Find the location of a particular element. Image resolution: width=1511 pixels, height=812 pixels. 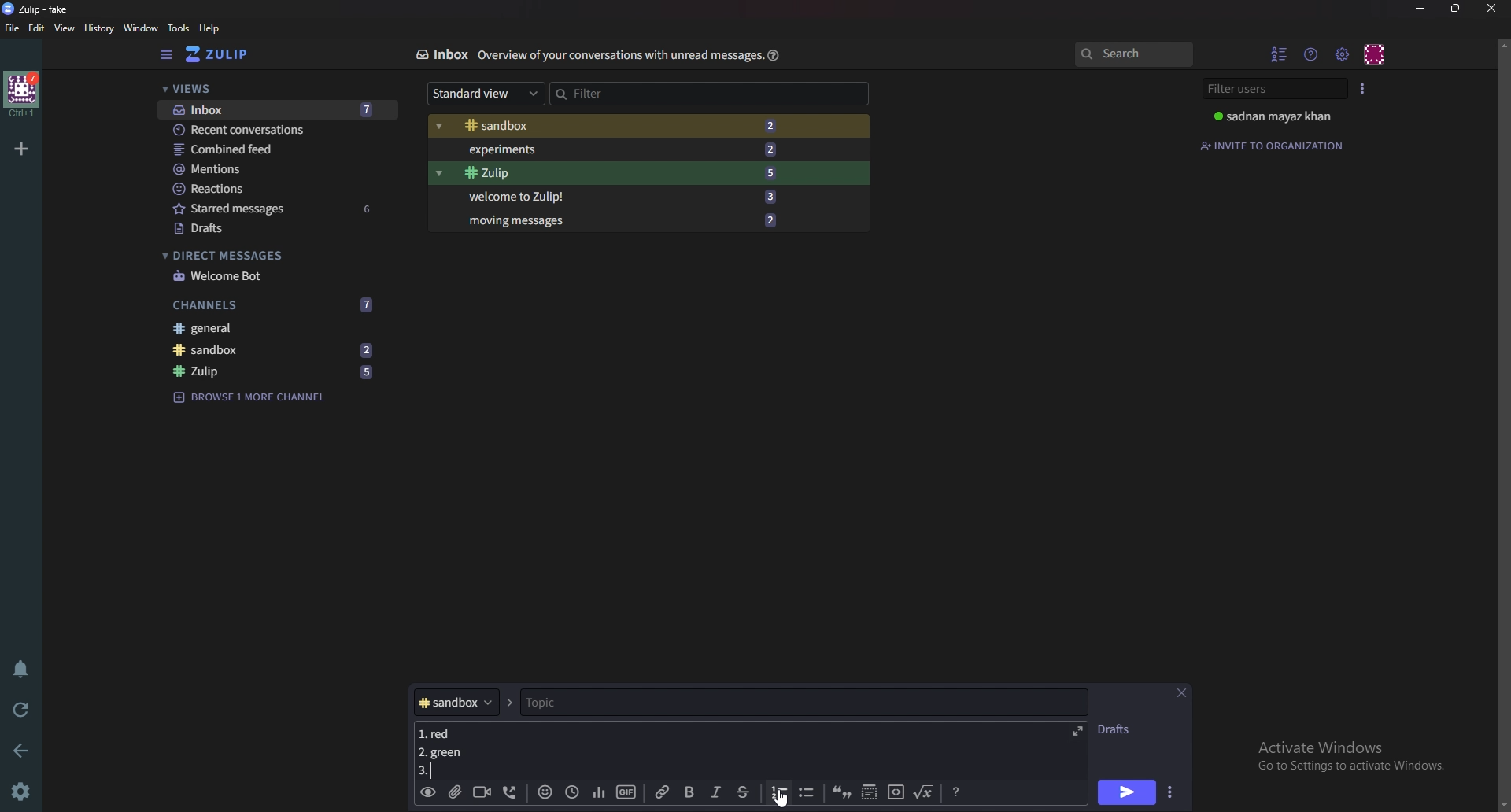

Zulip is located at coordinates (616, 173).